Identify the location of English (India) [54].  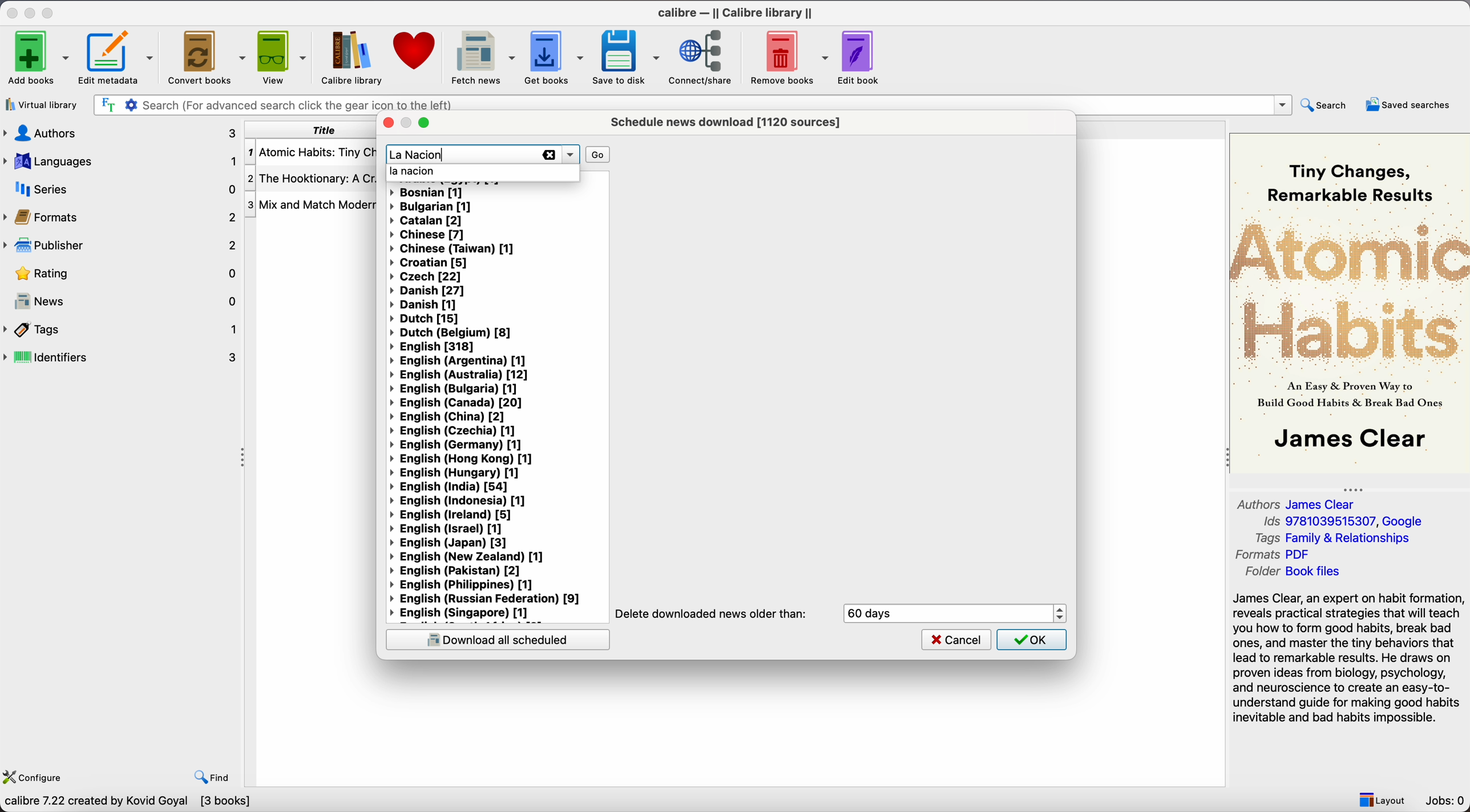
(449, 487).